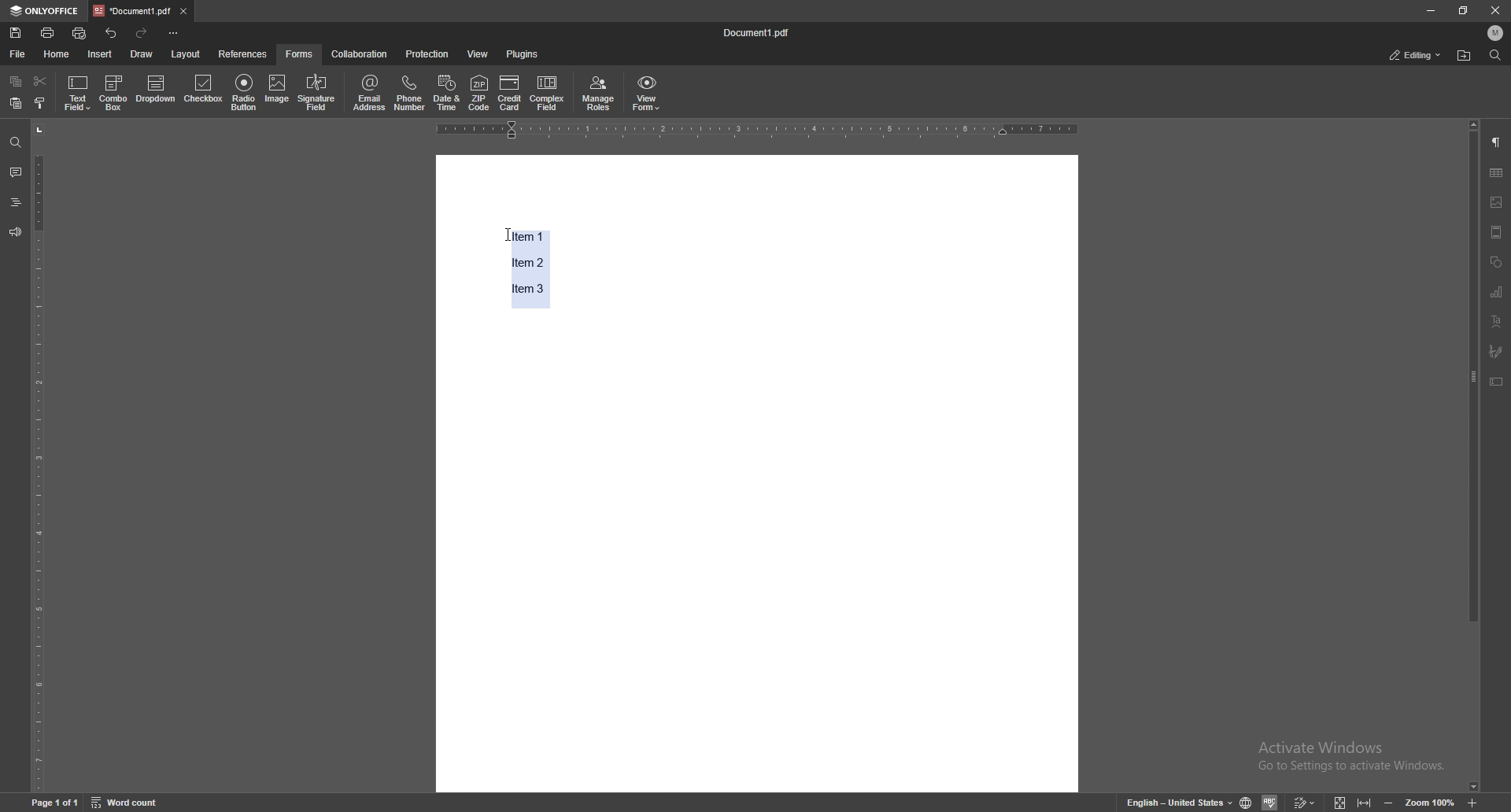 The width and height of the screenshot is (1511, 812). What do you see at coordinates (19, 54) in the screenshot?
I see `file` at bounding box center [19, 54].